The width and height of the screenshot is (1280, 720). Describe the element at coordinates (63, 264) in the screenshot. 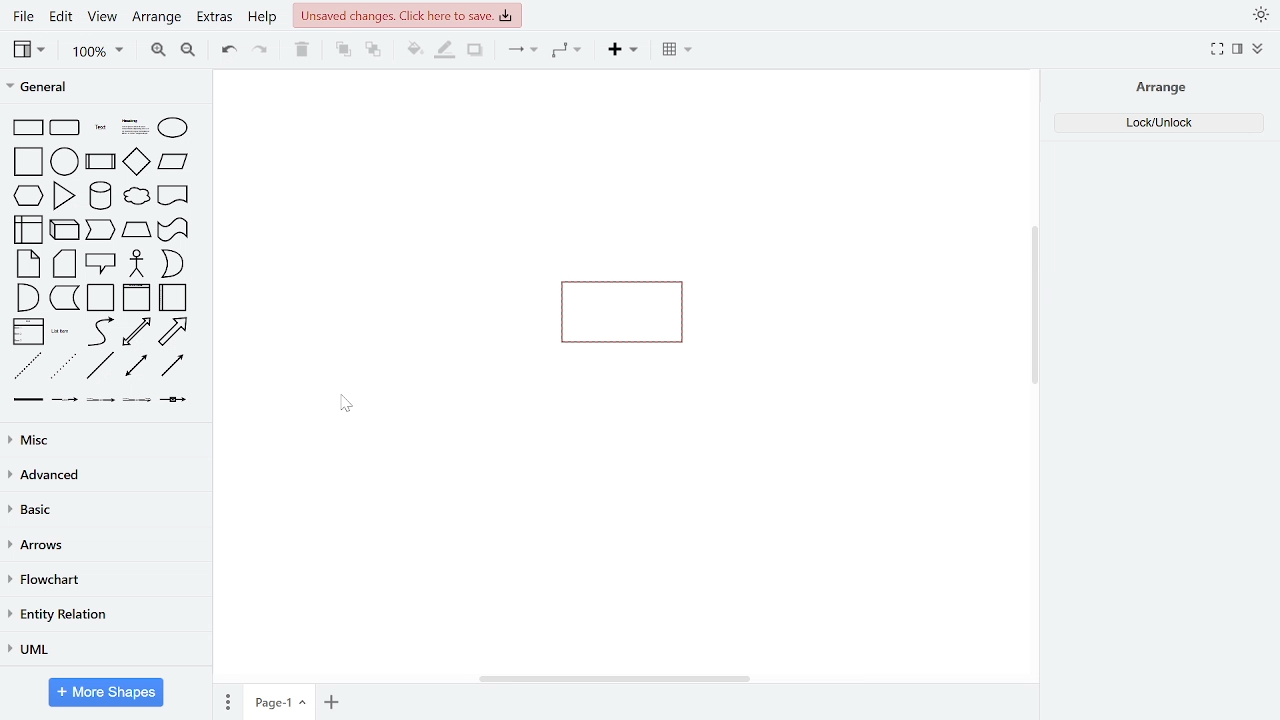

I see `card` at that location.